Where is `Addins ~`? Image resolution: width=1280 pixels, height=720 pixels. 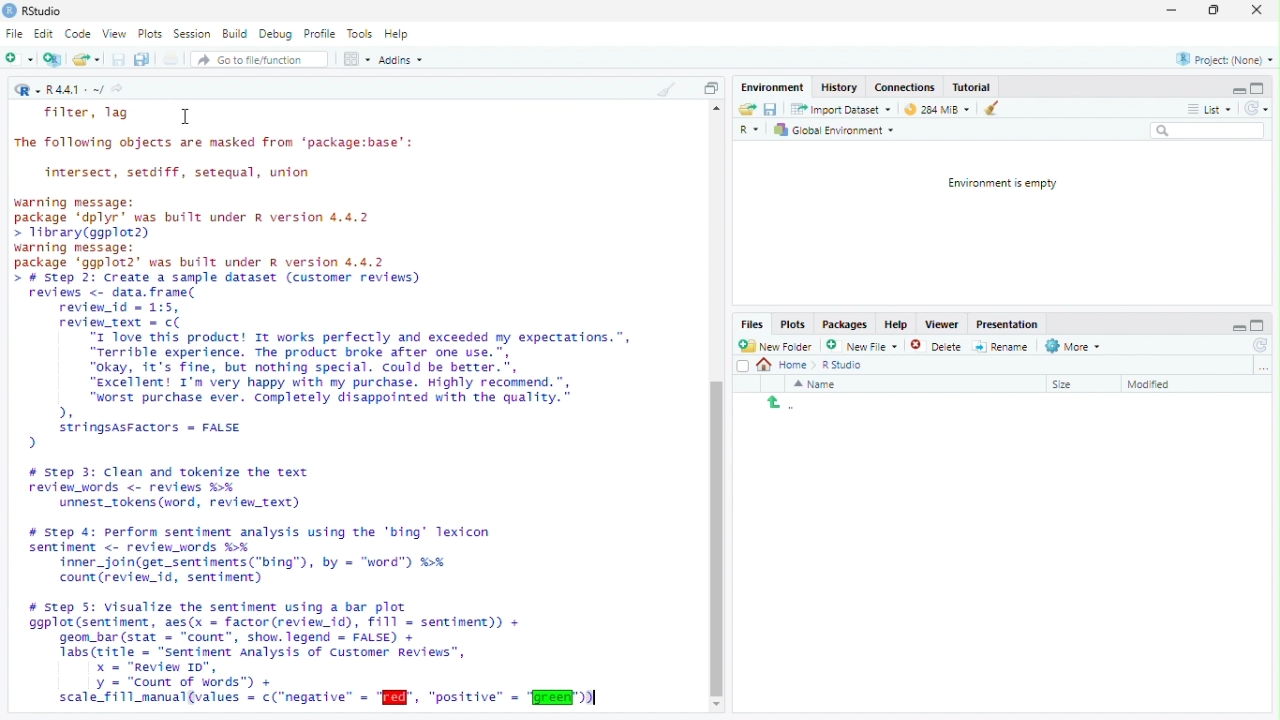 Addins ~ is located at coordinates (400, 59).